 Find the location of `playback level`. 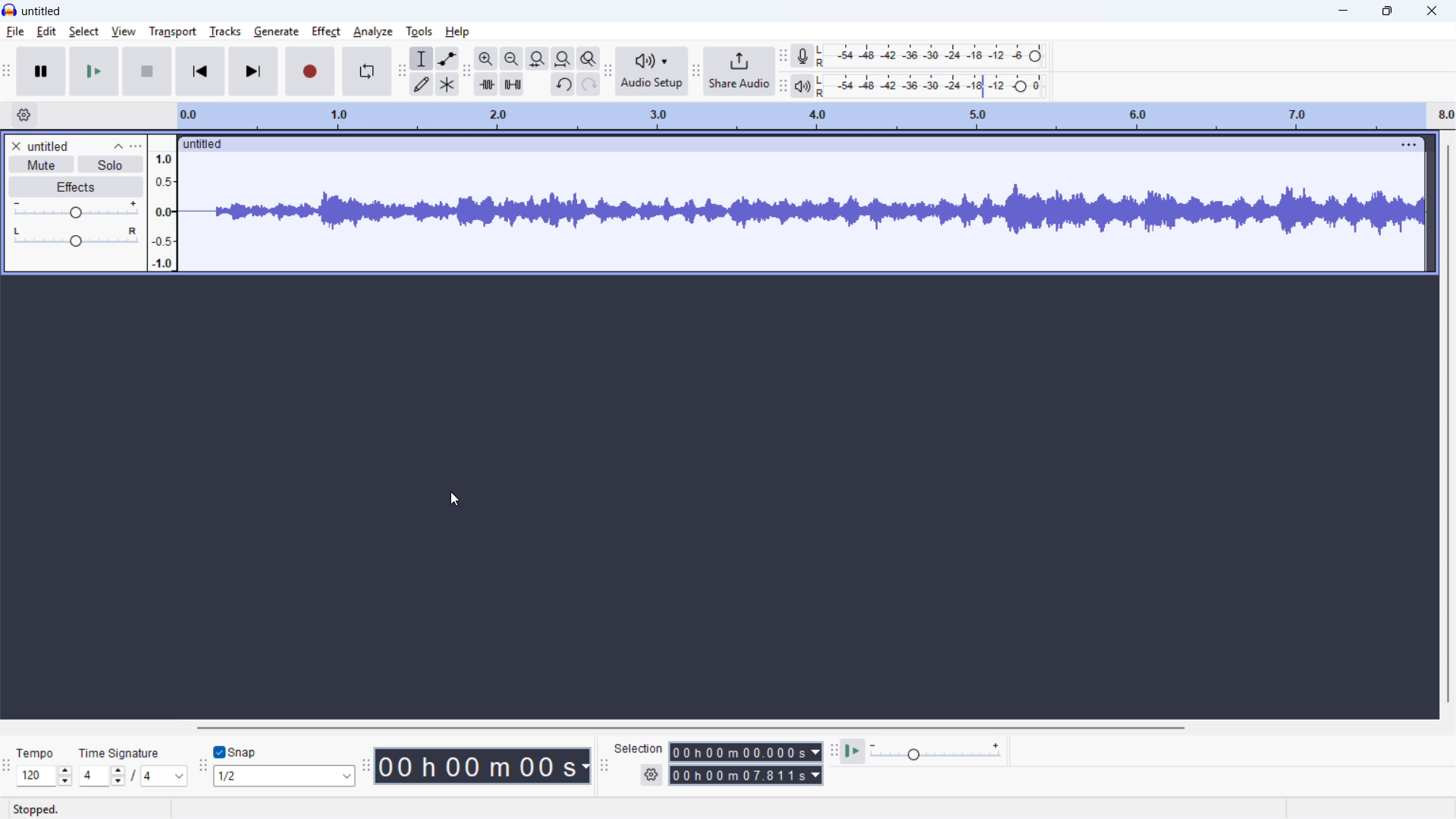

playback level is located at coordinates (934, 86).